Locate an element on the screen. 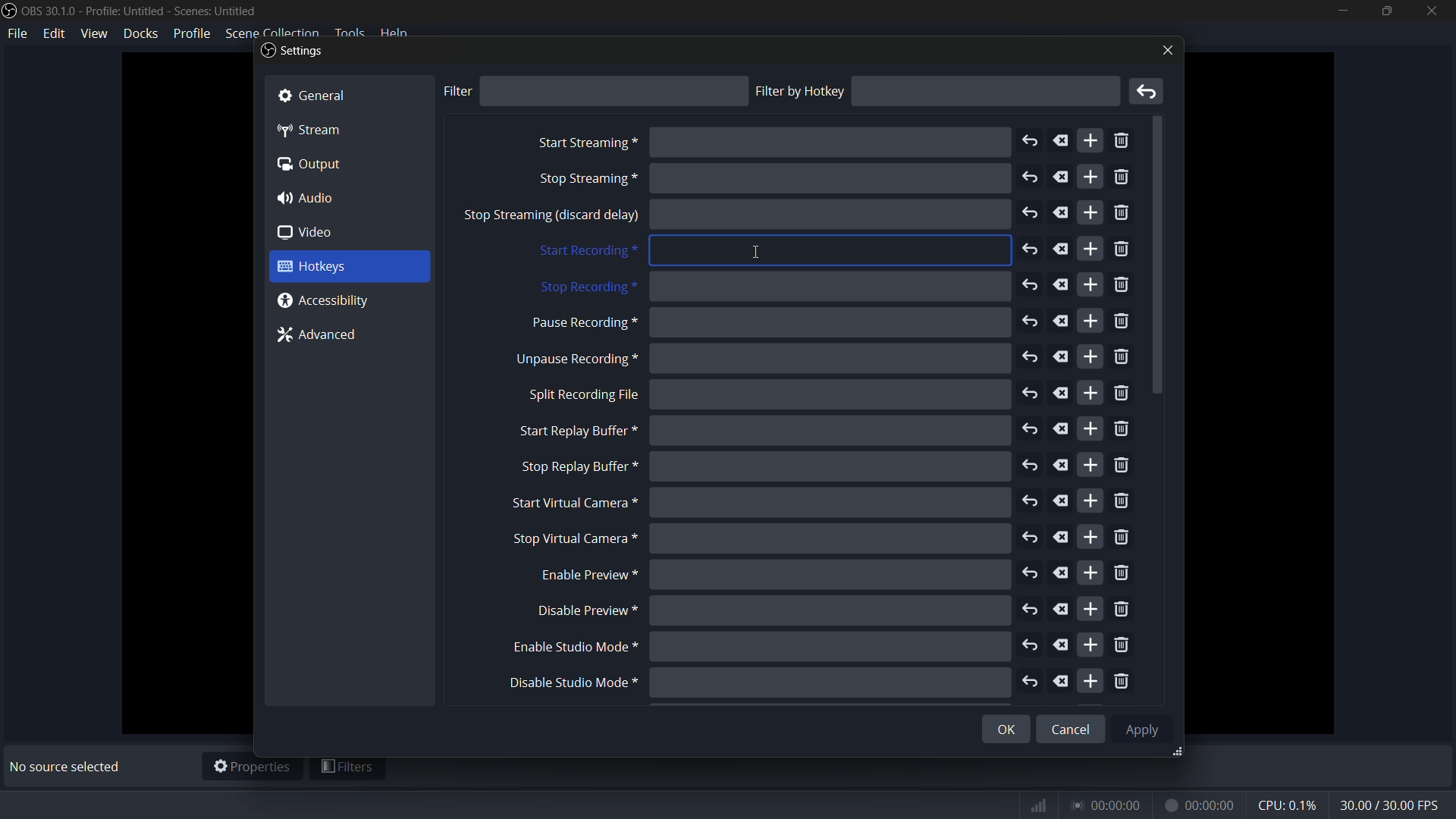  stop recording is located at coordinates (586, 288).